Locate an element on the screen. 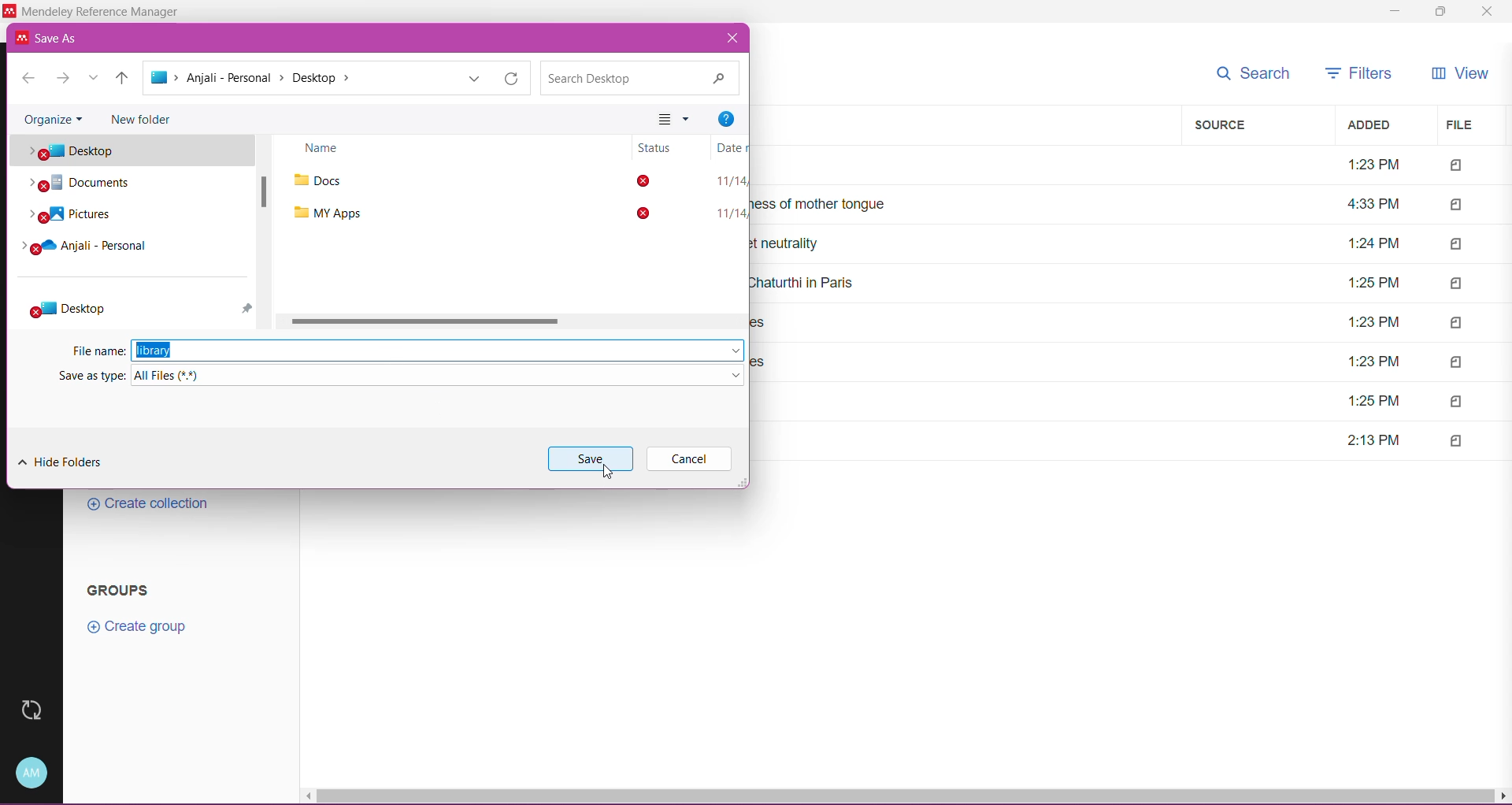  Cloud Folder is located at coordinates (96, 248).